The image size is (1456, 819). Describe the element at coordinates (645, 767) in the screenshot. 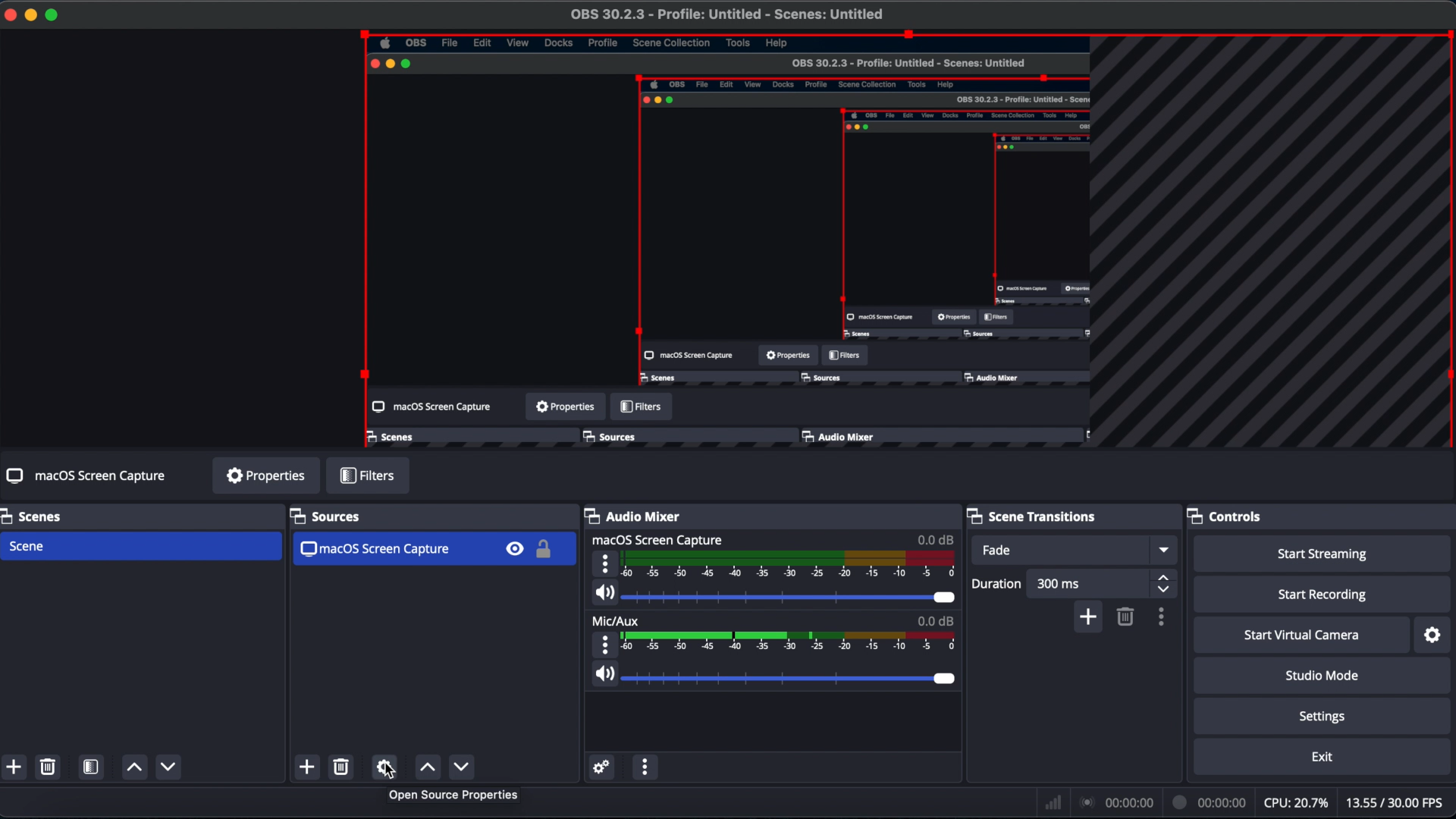

I see `audio mixer menu` at that location.